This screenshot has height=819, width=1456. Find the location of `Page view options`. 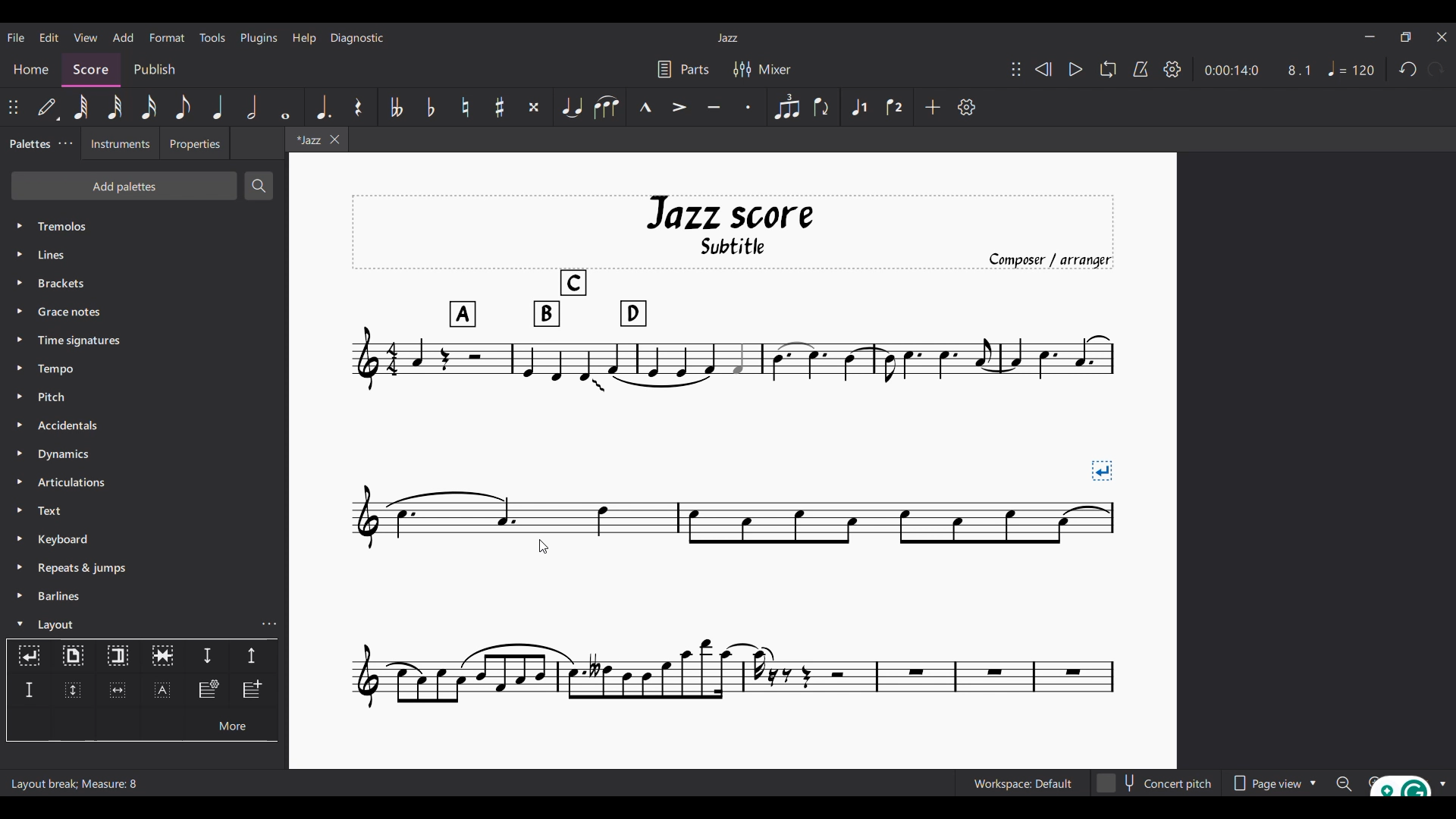

Page view options is located at coordinates (1274, 783).